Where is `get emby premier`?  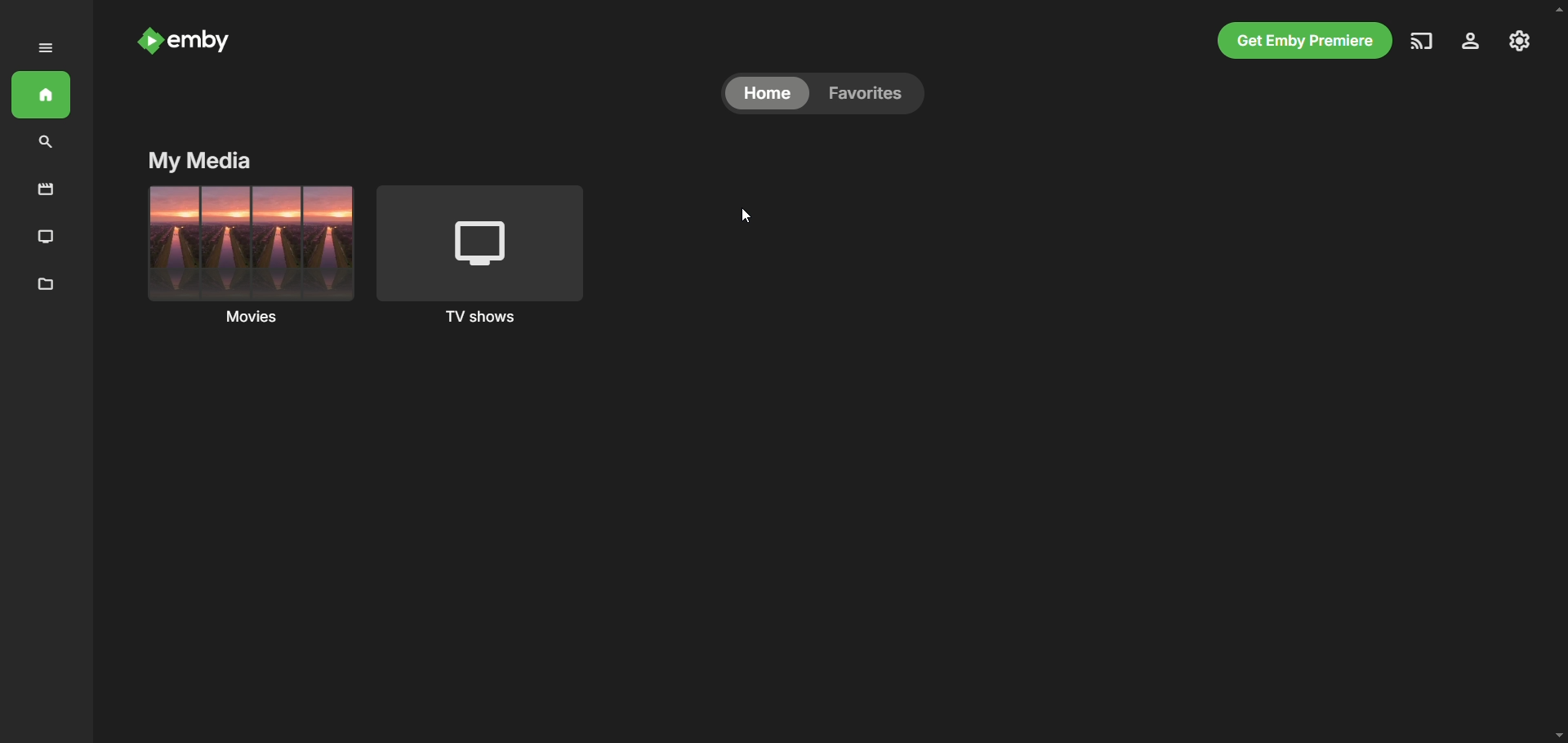
get emby premier is located at coordinates (1303, 40).